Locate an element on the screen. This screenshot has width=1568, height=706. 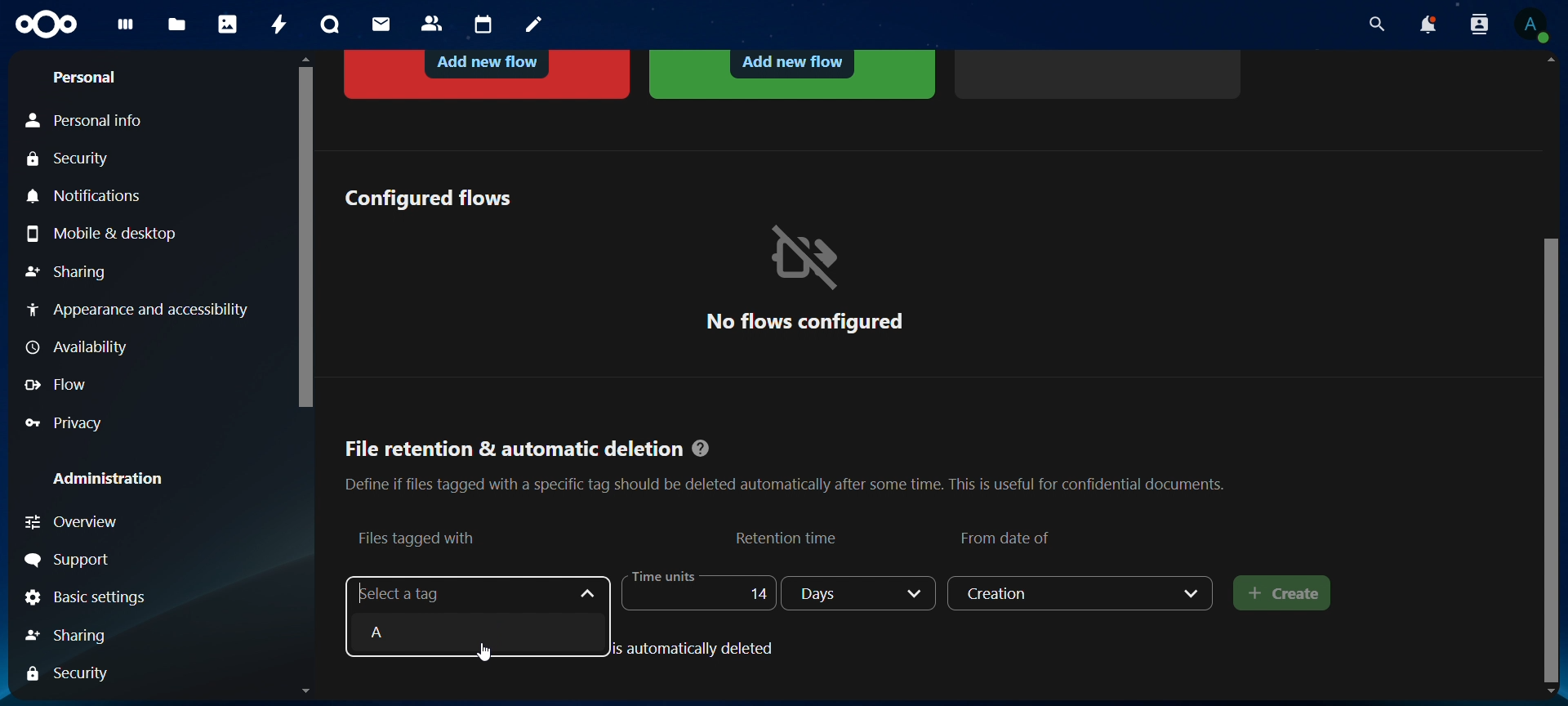
automated tagging  is located at coordinates (792, 73).